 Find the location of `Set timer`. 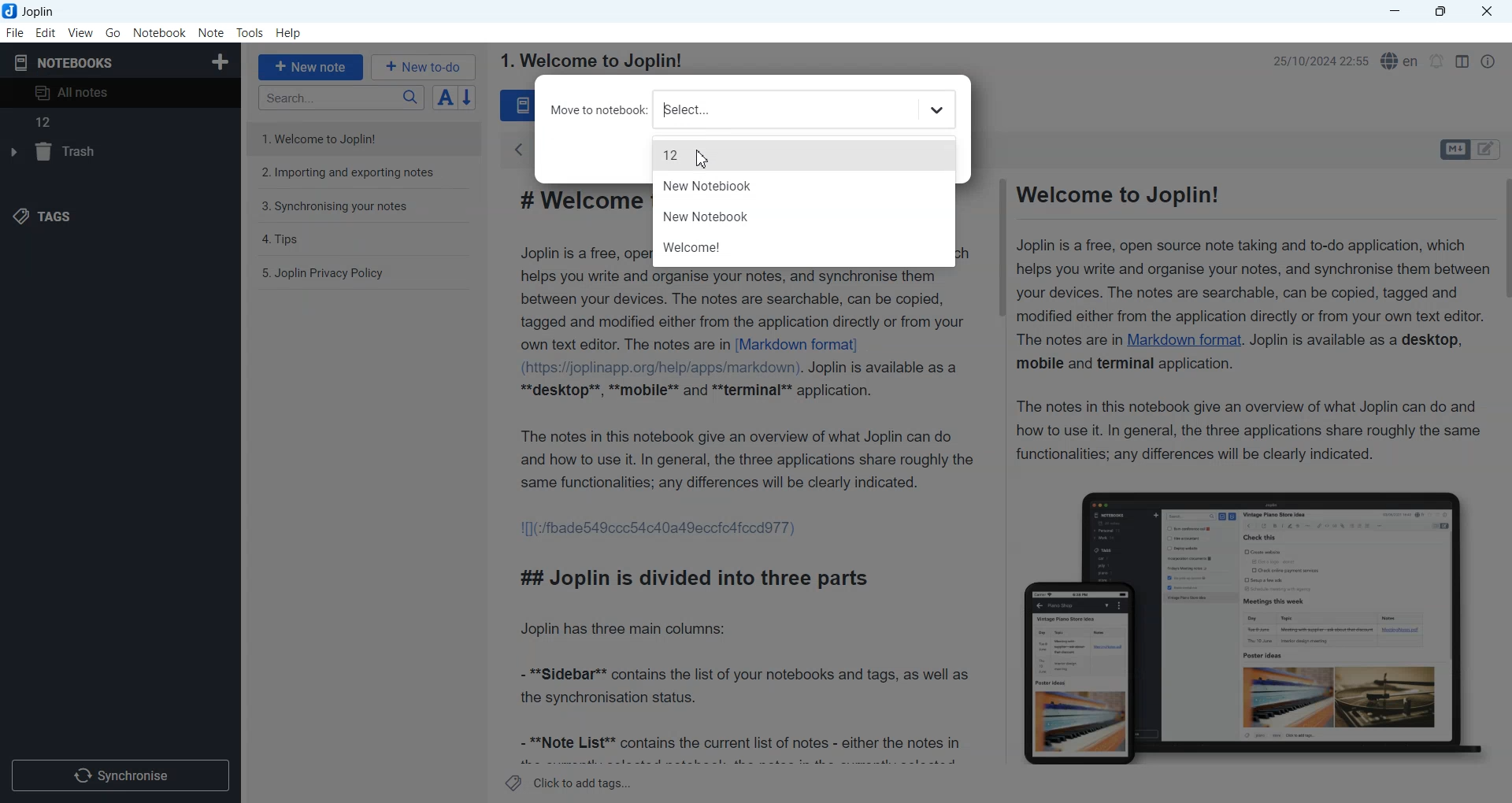

Set timer is located at coordinates (1437, 61).